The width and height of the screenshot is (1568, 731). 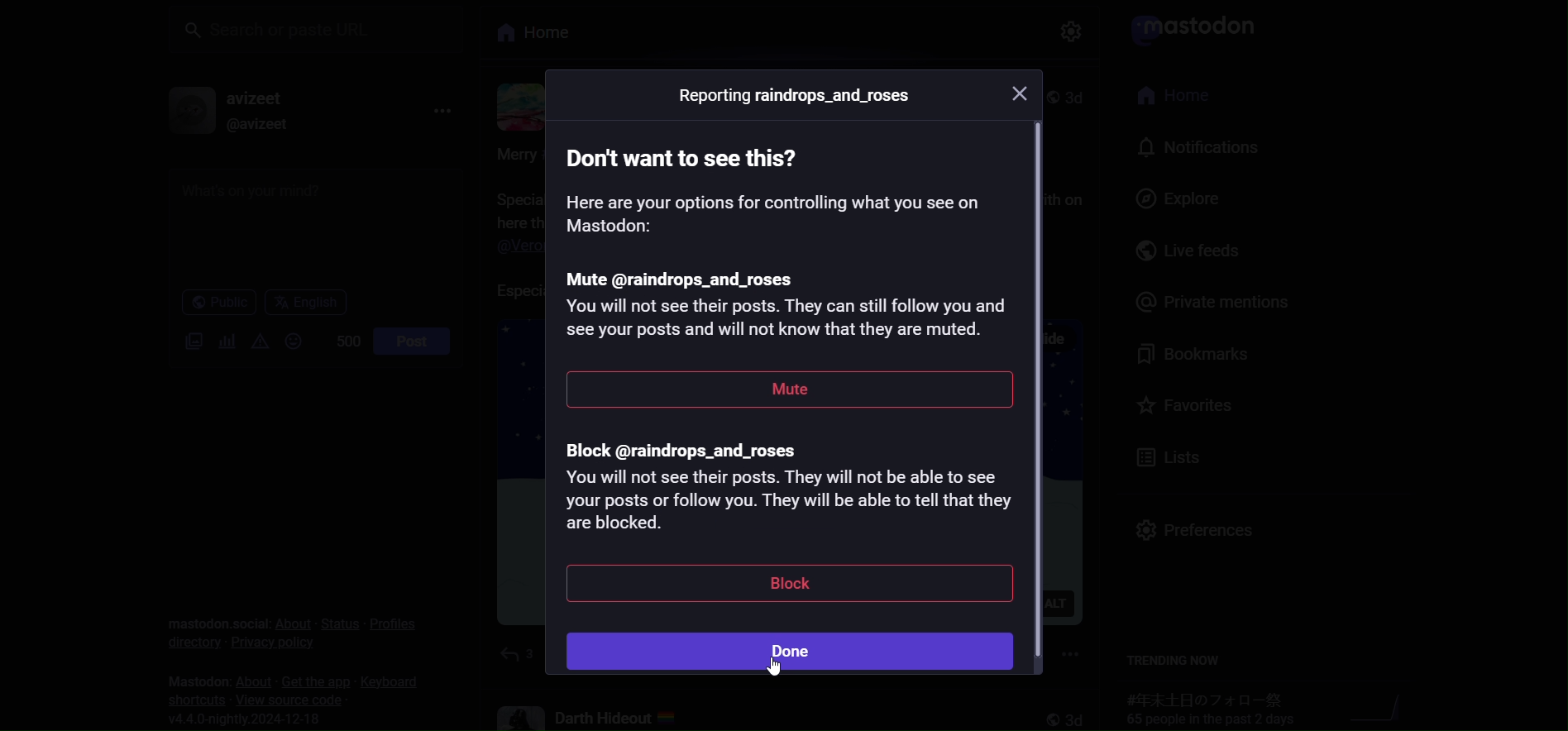 What do you see at coordinates (786, 393) in the screenshot?
I see `mute` at bounding box center [786, 393].